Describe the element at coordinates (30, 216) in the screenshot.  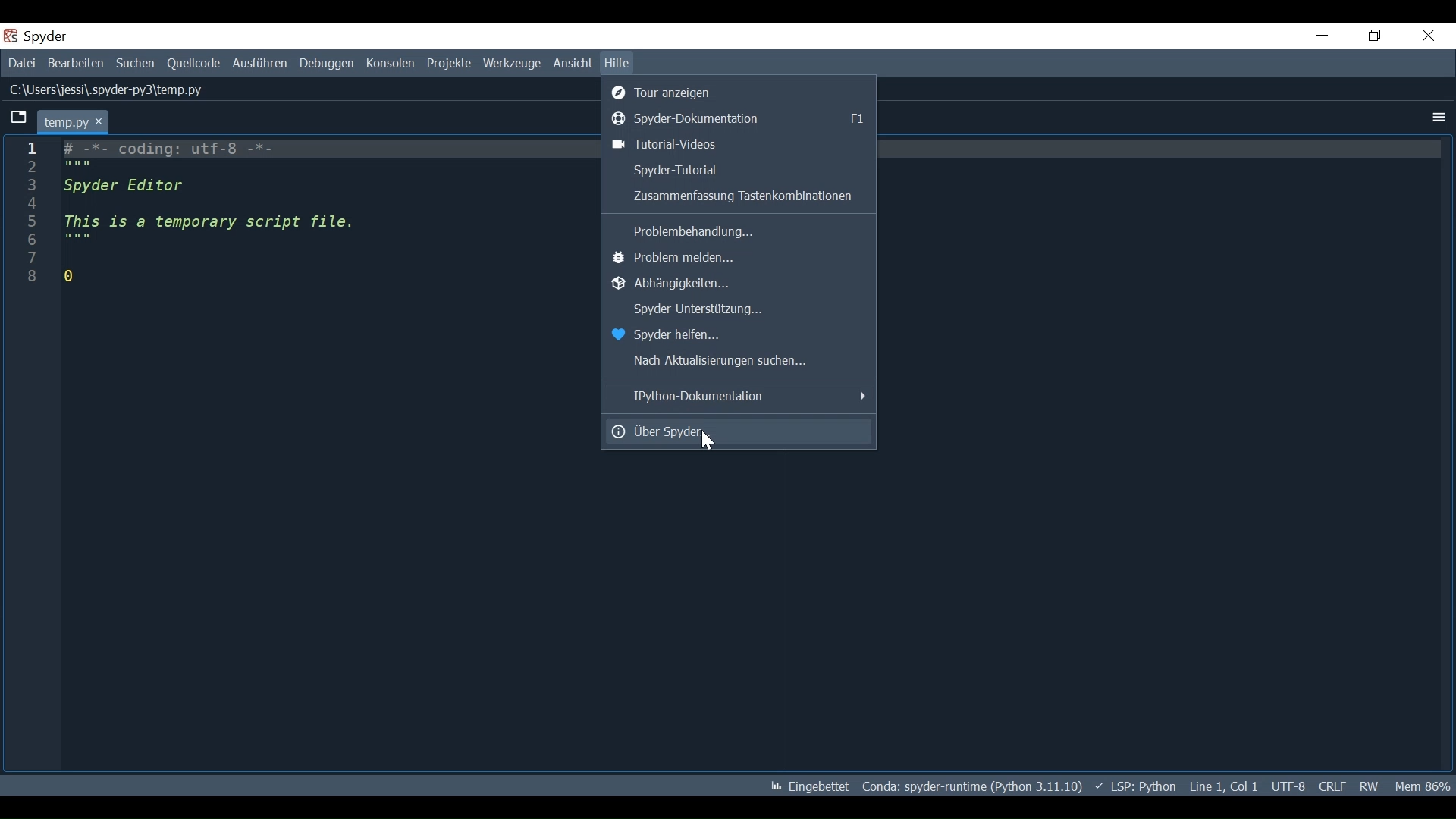
I see `line numbers` at that location.